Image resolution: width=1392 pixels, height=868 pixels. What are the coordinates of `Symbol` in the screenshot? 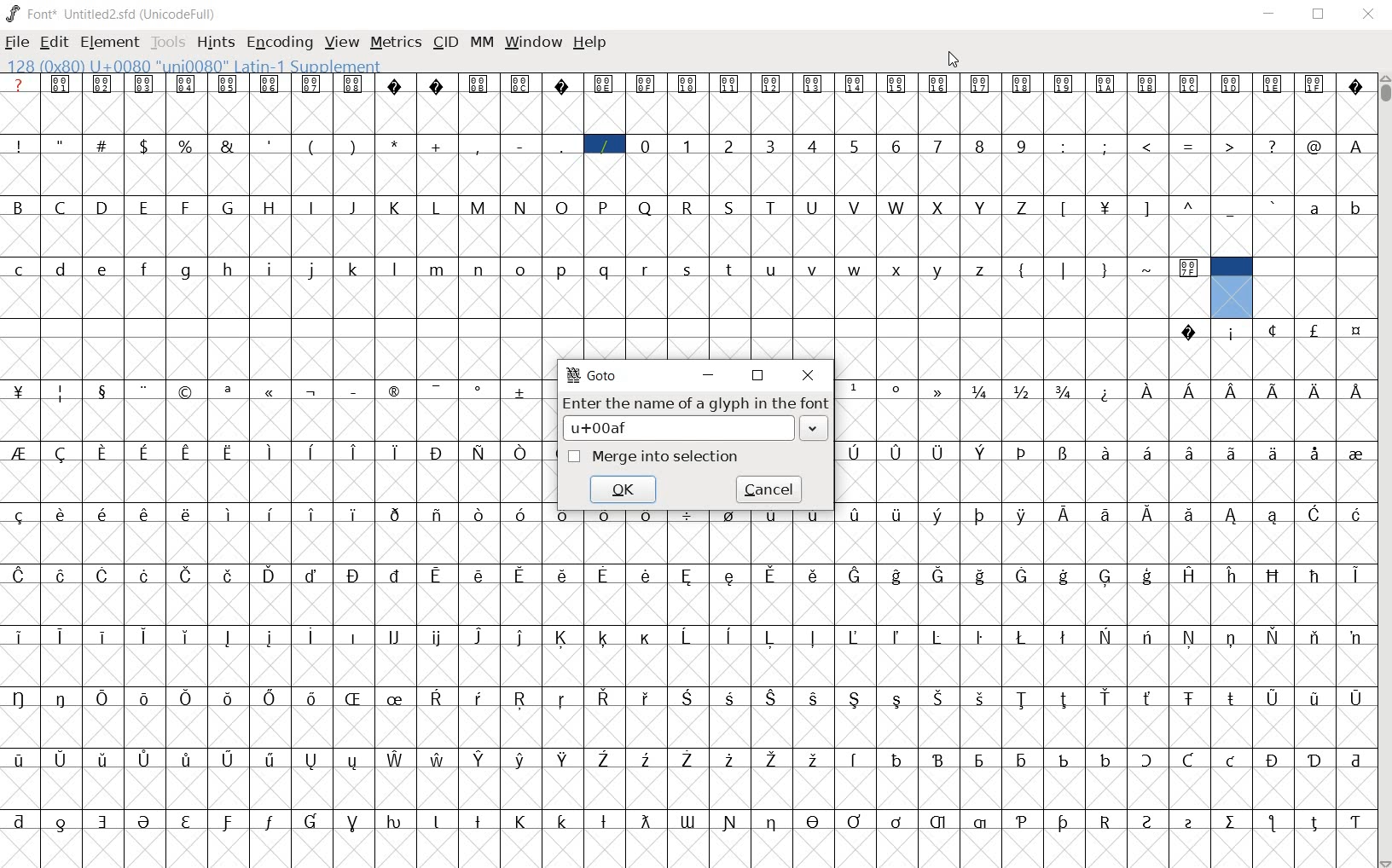 It's located at (1314, 454).